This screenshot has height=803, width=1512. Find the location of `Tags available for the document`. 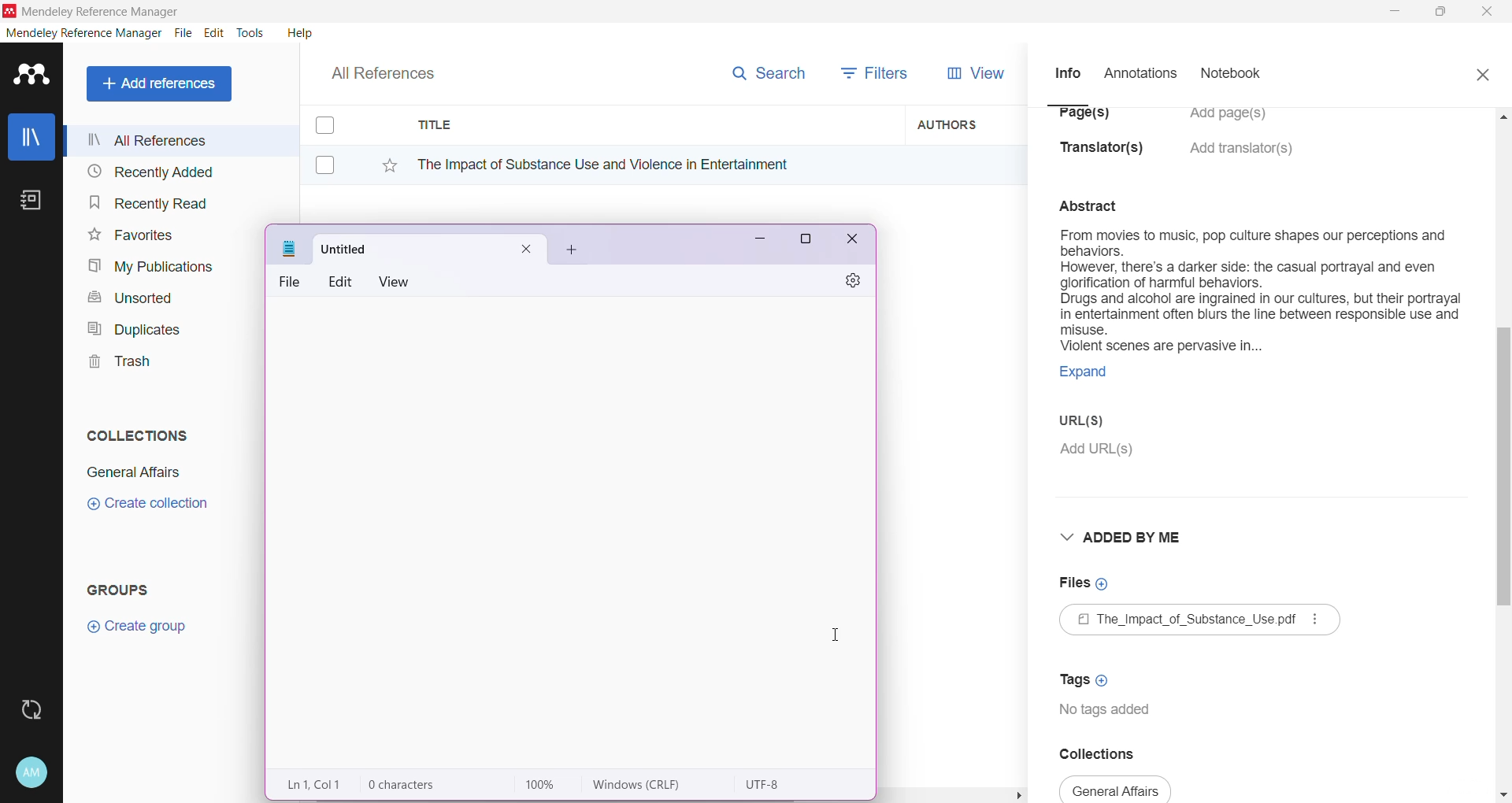

Tags available for the document is located at coordinates (1109, 712).